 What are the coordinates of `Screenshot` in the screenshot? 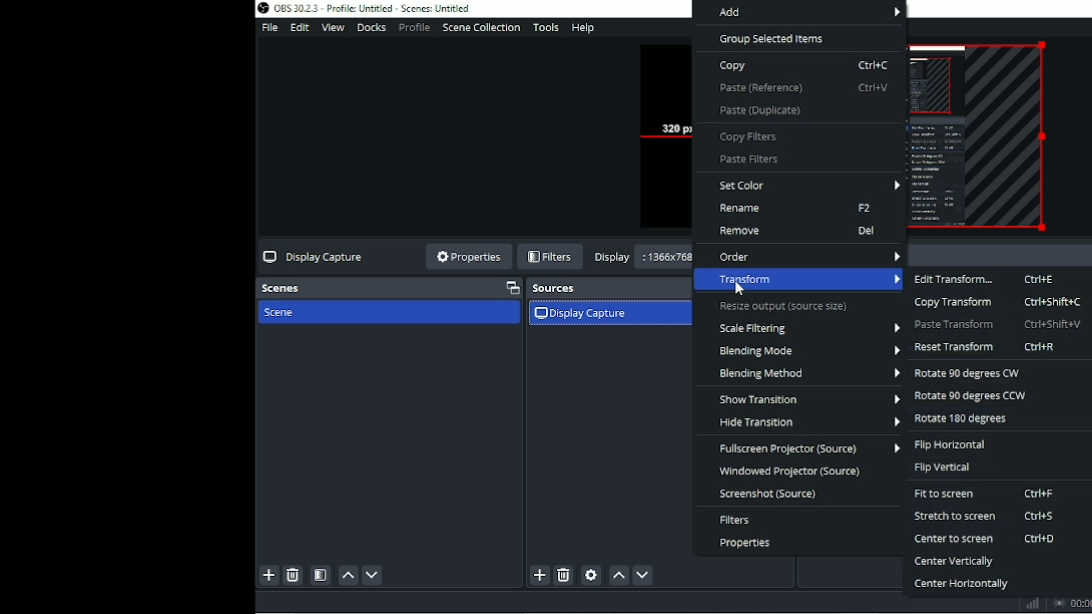 It's located at (767, 495).